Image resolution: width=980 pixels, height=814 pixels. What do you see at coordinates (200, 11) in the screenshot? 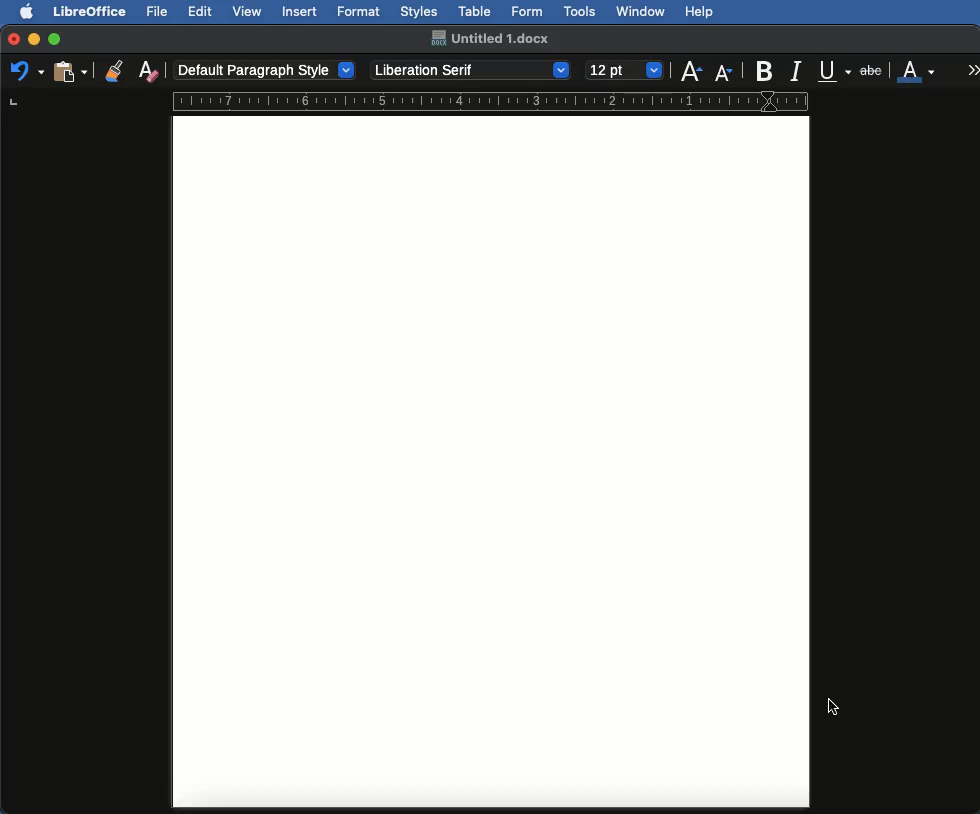
I see `Edit` at bounding box center [200, 11].